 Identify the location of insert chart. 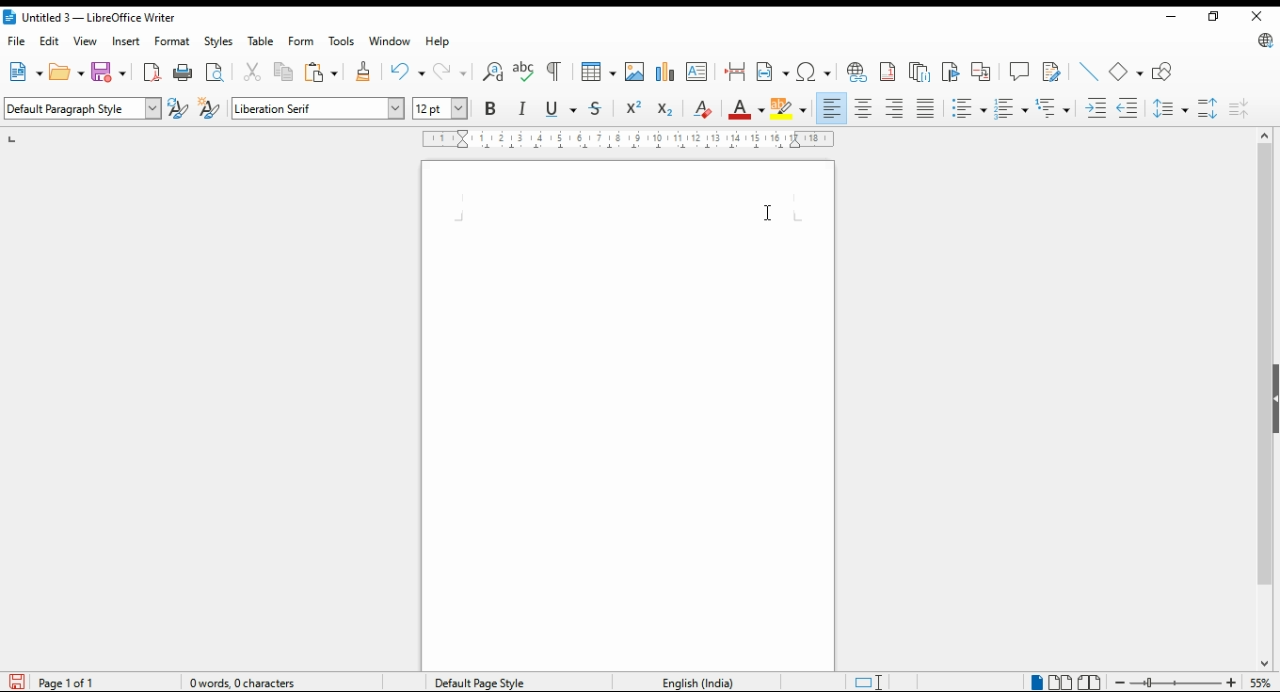
(665, 72).